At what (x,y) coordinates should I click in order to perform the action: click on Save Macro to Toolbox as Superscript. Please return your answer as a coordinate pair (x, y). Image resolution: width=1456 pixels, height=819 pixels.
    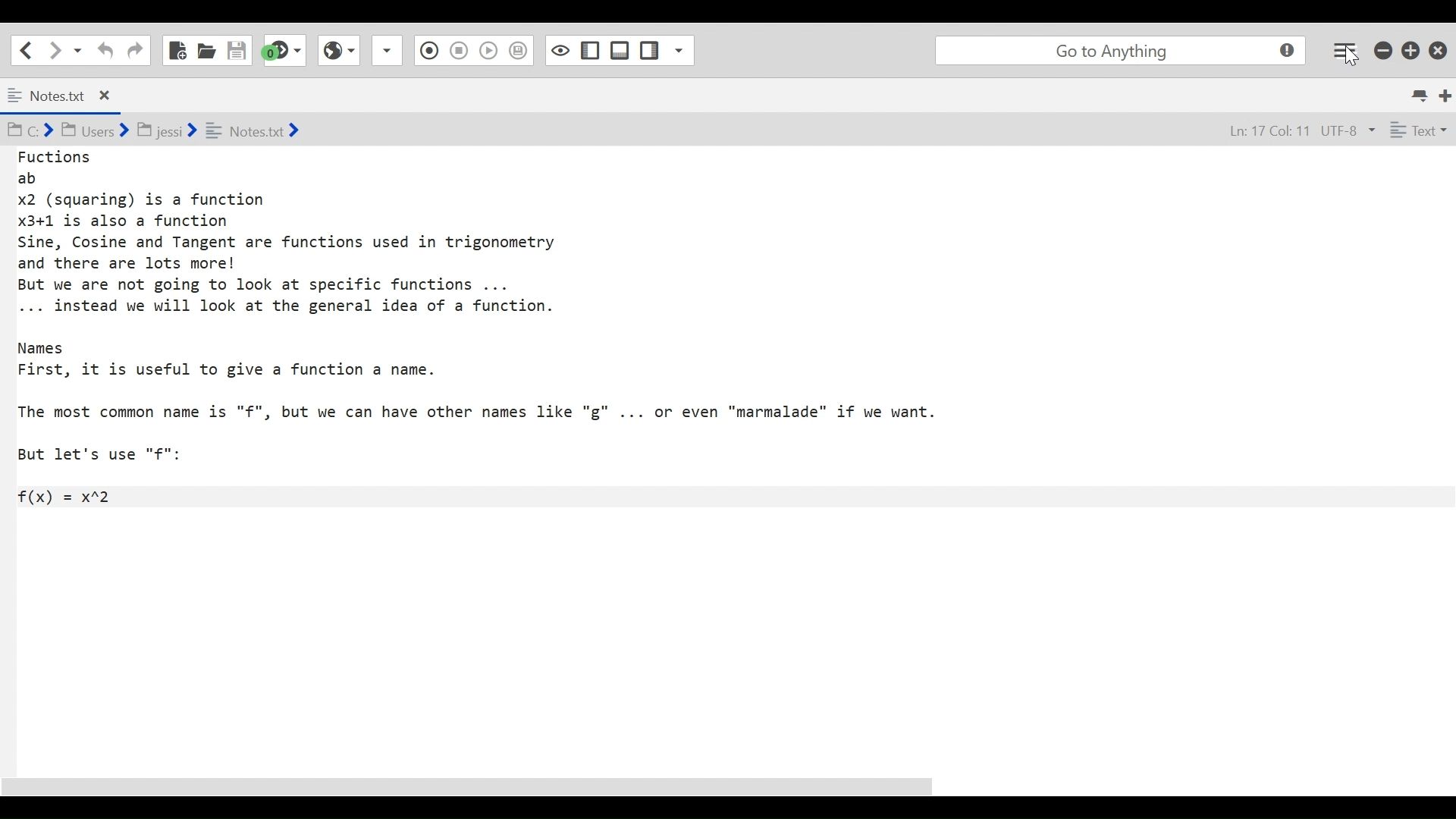
    Looking at the image, I should click on (491, 49).